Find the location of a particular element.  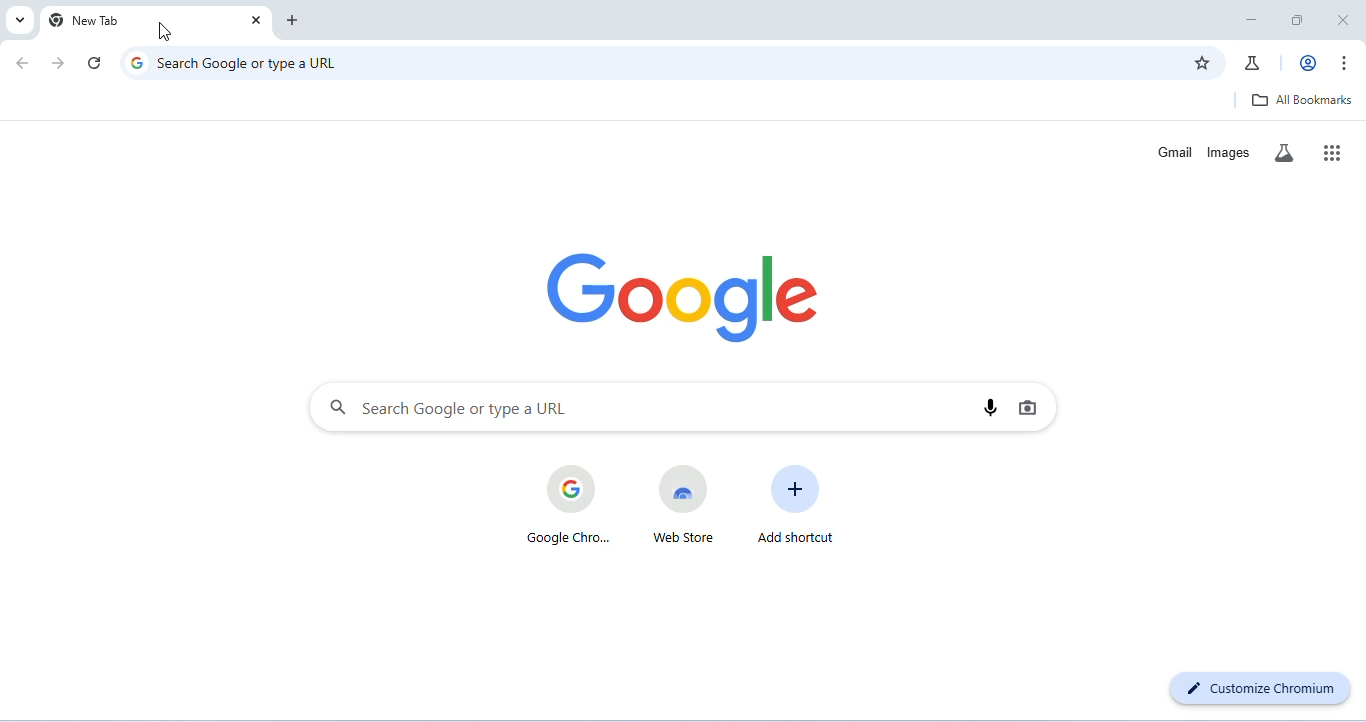

search labs is located at coordinates (1286, 152).